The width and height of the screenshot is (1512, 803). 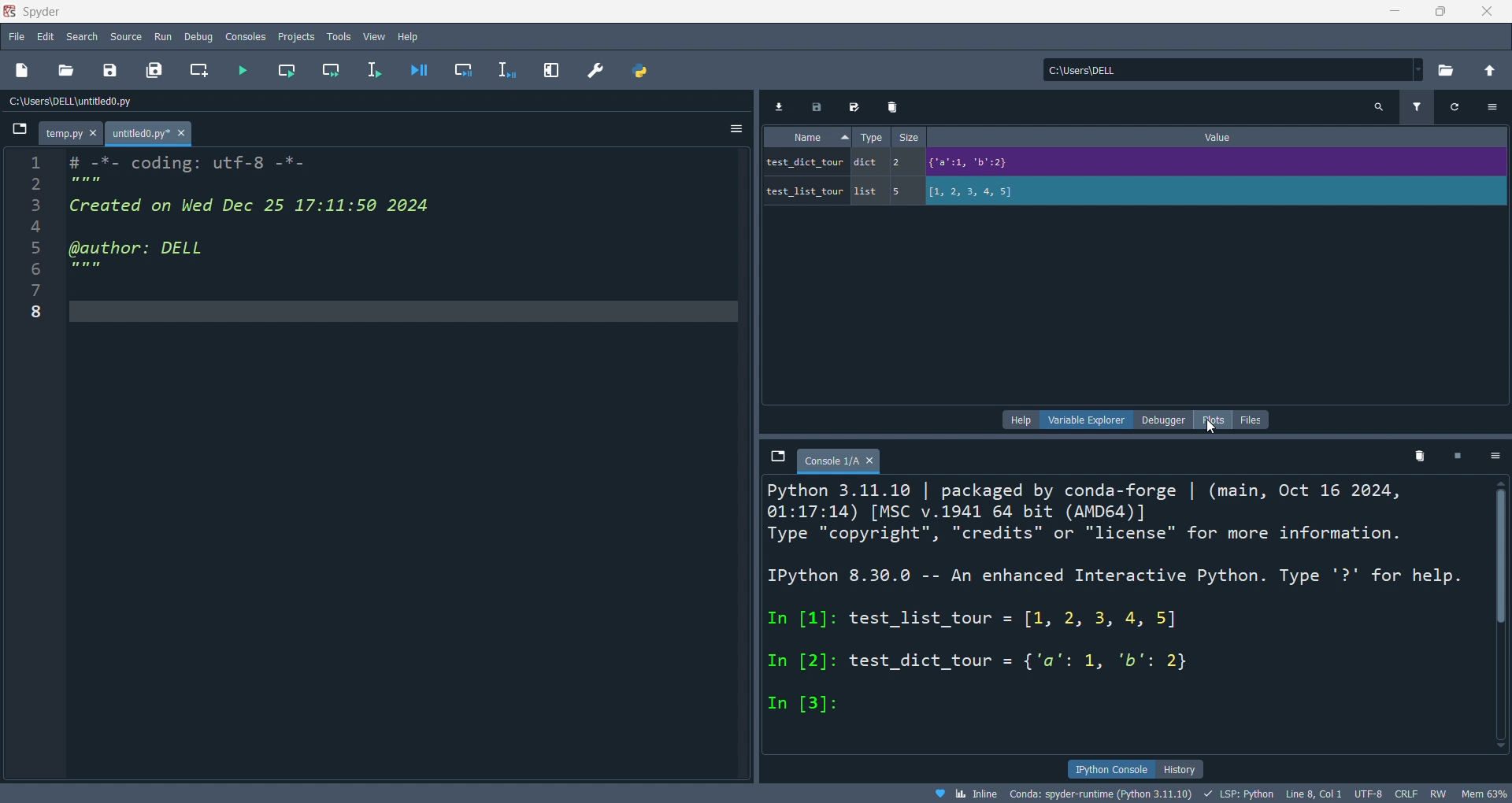 I want to click on new file, so click(x=24, y=71).